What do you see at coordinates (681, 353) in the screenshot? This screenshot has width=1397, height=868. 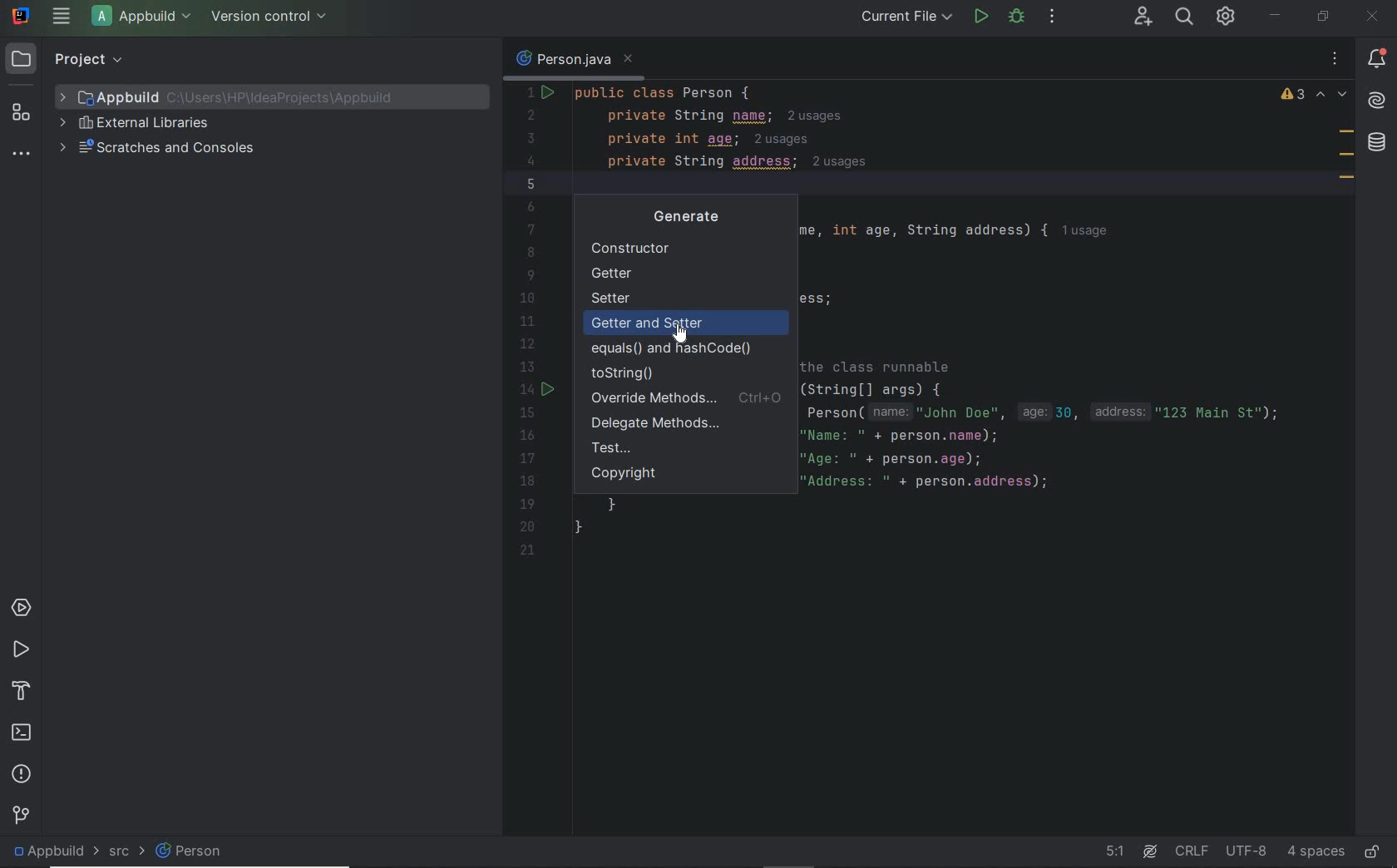 I see `equals() and hashCode()` at bounding box center [681, 353].